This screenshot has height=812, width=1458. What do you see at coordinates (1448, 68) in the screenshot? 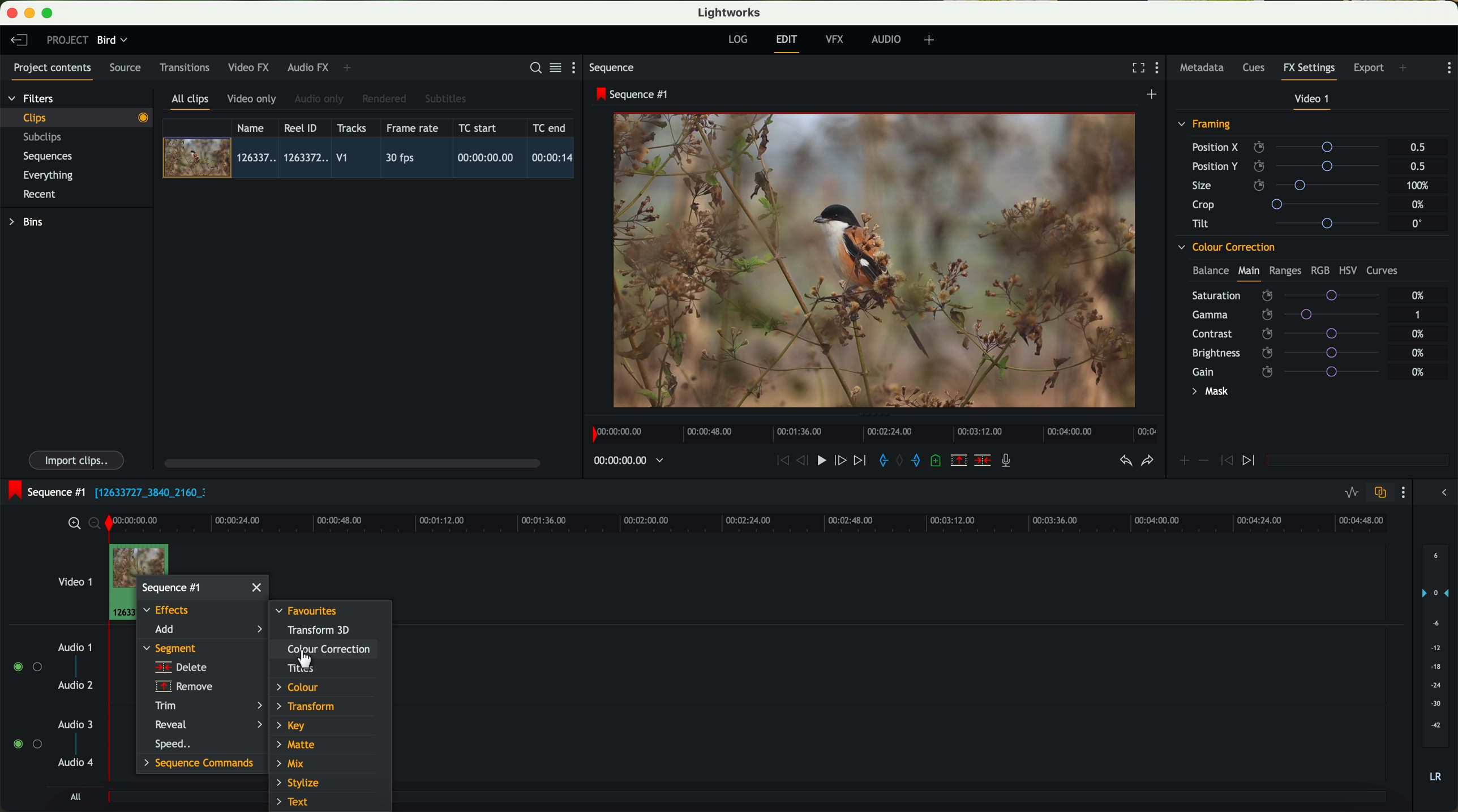
I see `show settings menu` at bounding box center [1448, 68].